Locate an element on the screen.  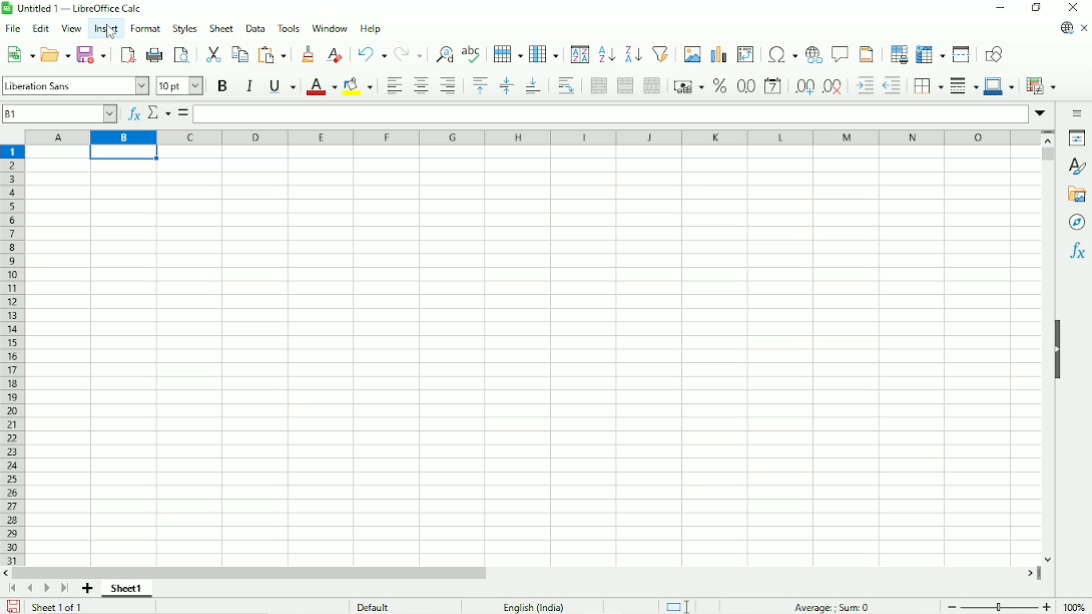
Save is located at coordinates (91, 53).